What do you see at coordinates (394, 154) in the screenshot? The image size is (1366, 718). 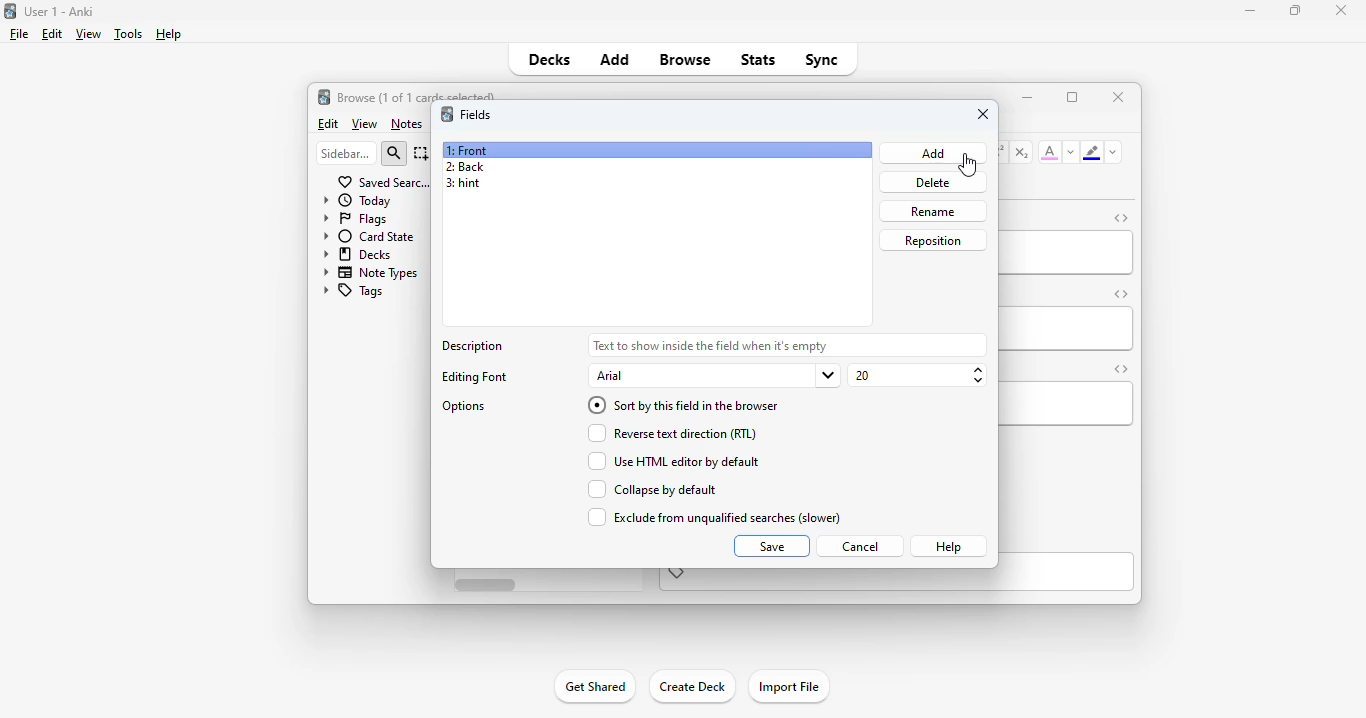 I see `search` at bounding box center [394, 154].